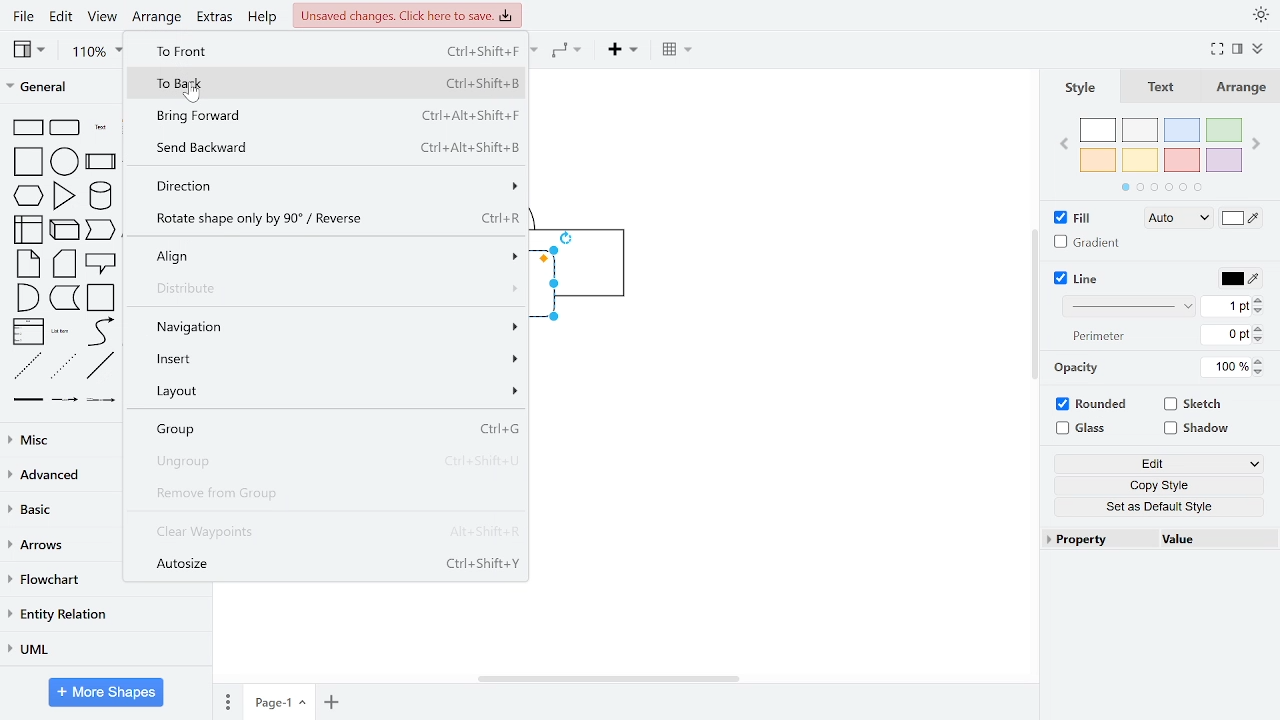 The image size is (1280, 720). I want to click on group, so click(330, 431).